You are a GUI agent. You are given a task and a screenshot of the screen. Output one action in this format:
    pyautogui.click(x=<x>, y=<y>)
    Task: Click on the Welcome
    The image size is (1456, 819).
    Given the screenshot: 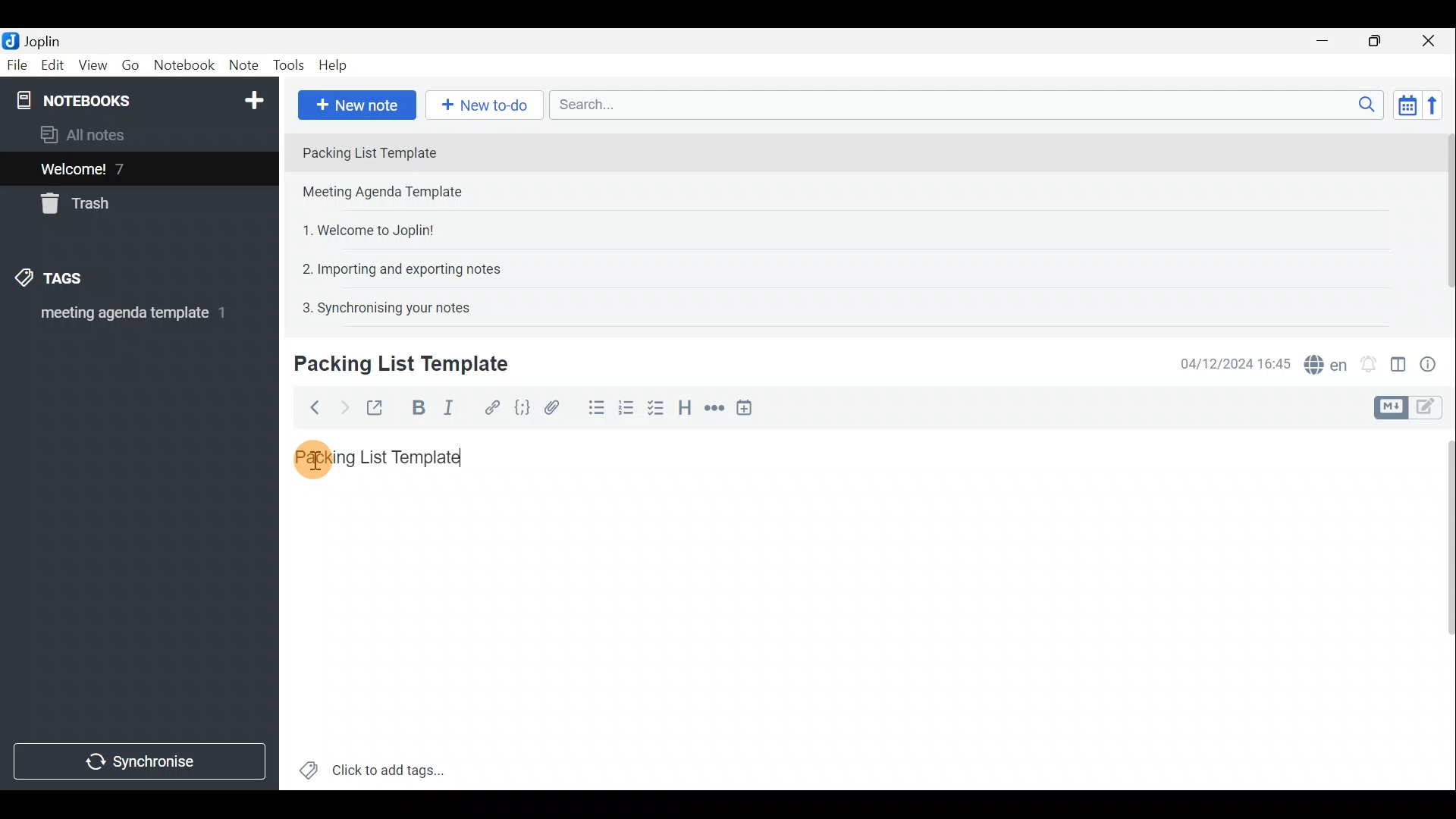 What is the action you would take?
    pyautogui.click(x=116, y=168)
    